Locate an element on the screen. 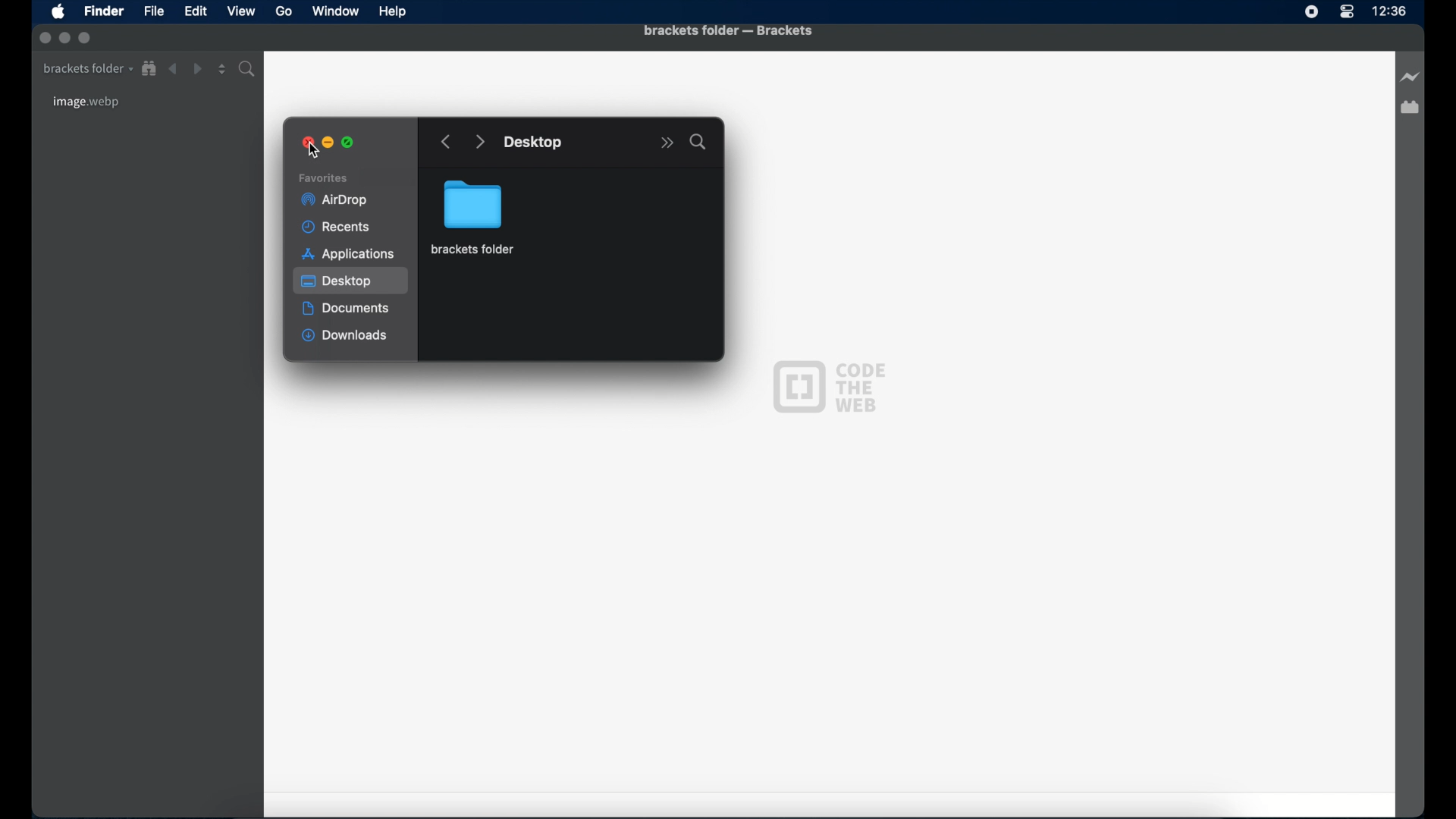 This screenshot has width=1456, height=819. brackets folder is located at coordinates (474, 218).